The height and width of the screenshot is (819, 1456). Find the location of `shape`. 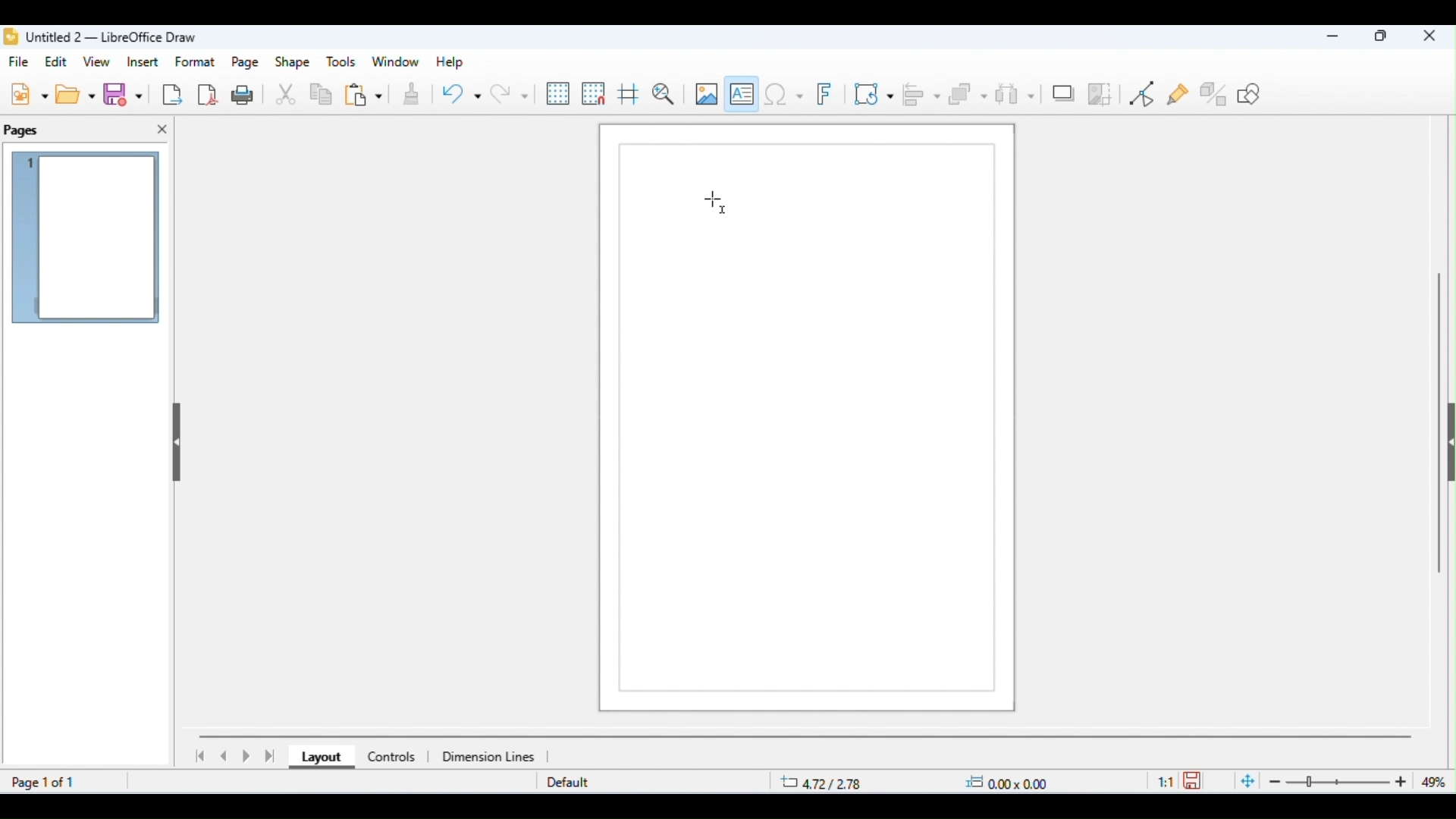

shape is located at coordinates (293, 63).